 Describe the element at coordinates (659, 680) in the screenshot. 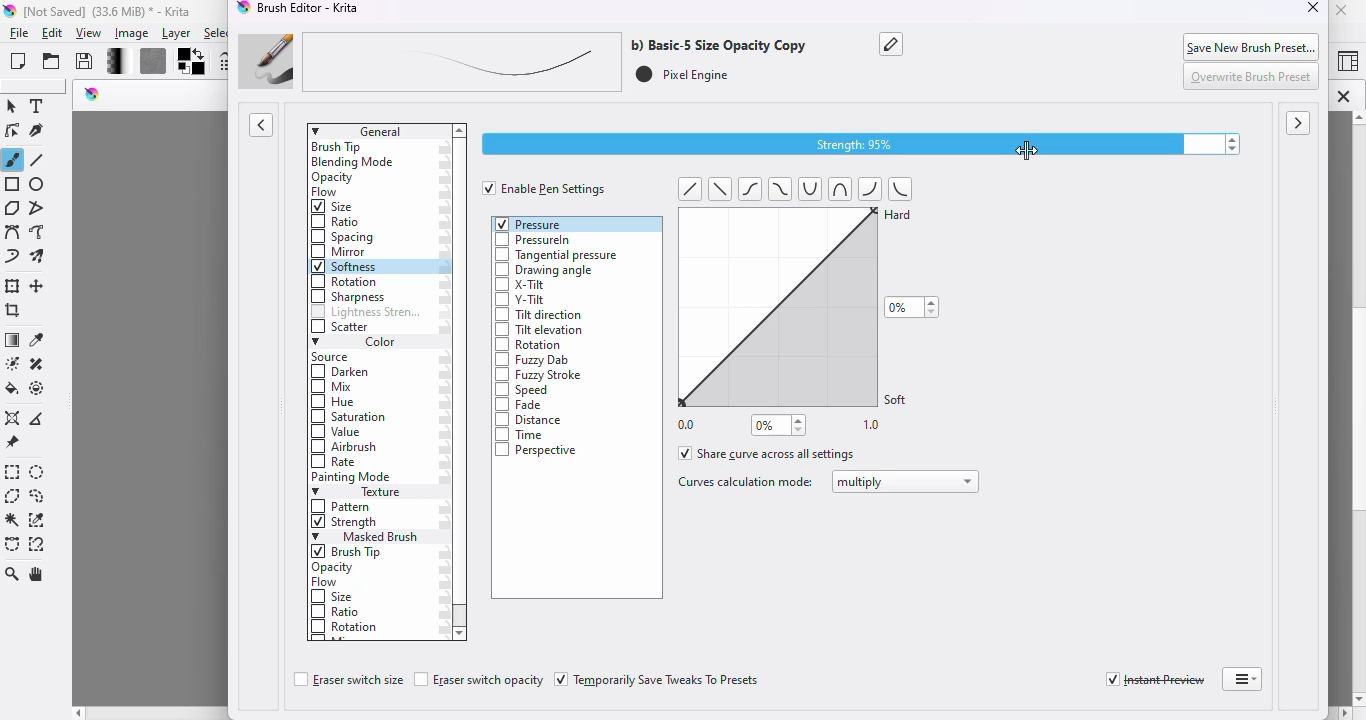

I see `temporarily save tweaks to presets` at that location.